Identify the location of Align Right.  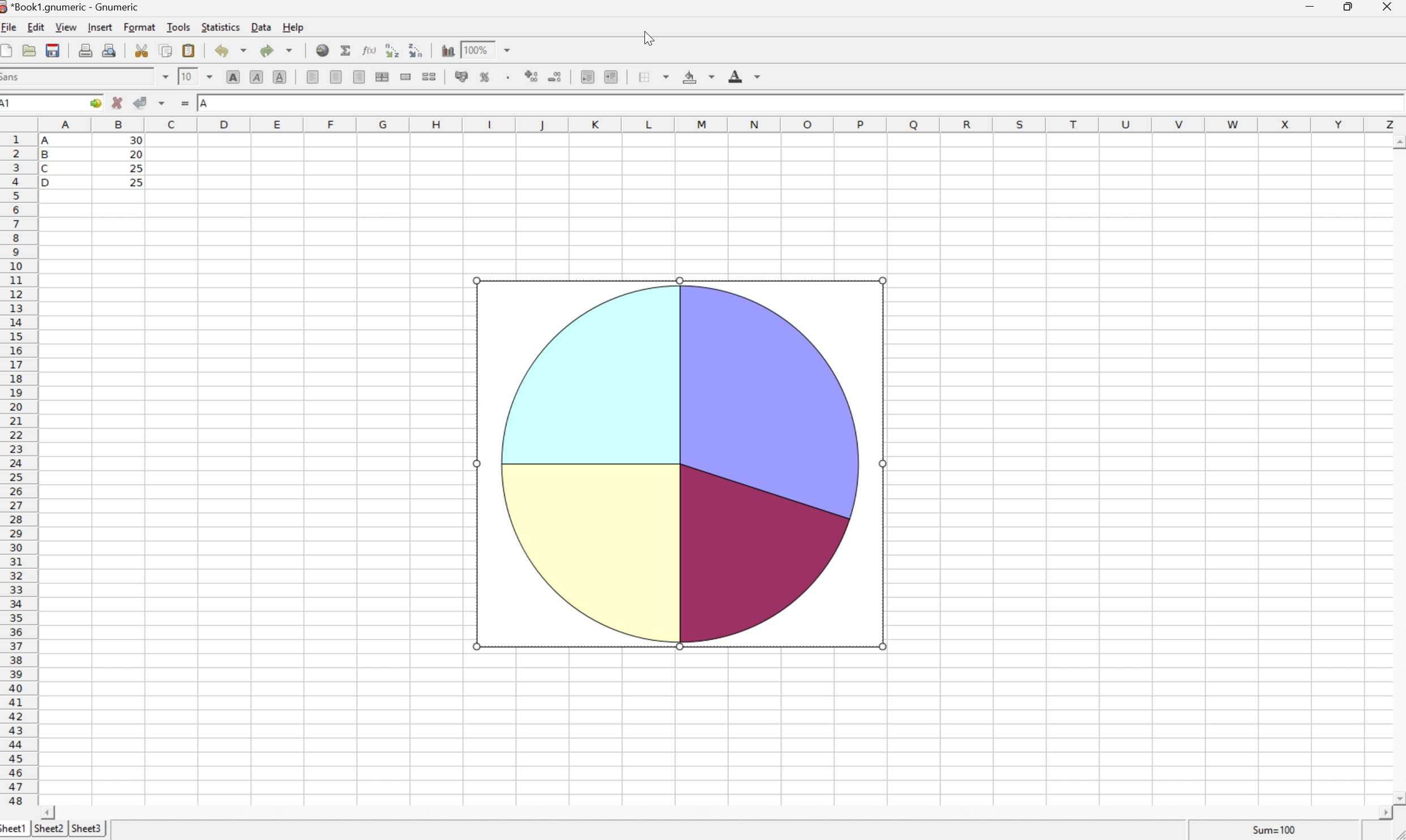
(360, 77).